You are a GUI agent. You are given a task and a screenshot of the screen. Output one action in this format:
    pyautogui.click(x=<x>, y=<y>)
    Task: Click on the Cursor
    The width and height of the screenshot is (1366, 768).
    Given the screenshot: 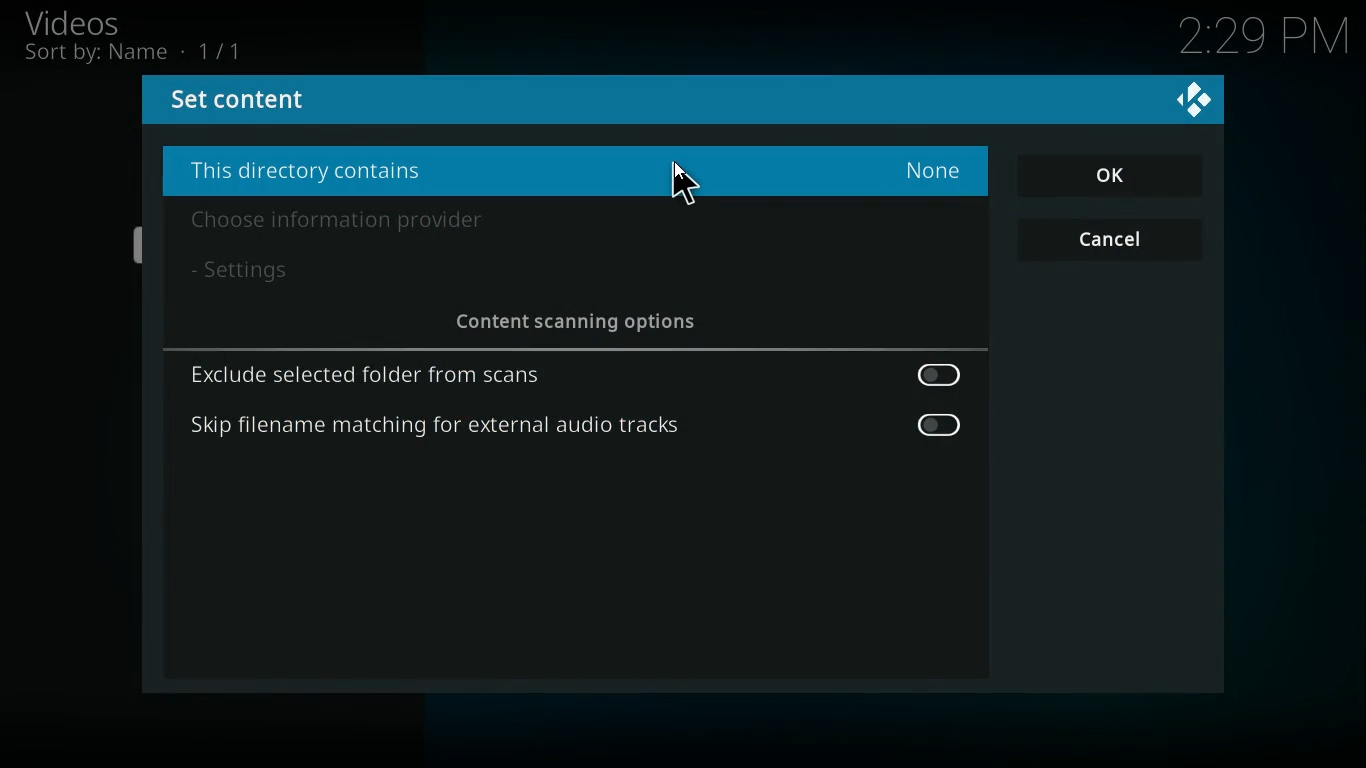 What is the action you would take?
    pyautogui.click(x=678, y=185)
    